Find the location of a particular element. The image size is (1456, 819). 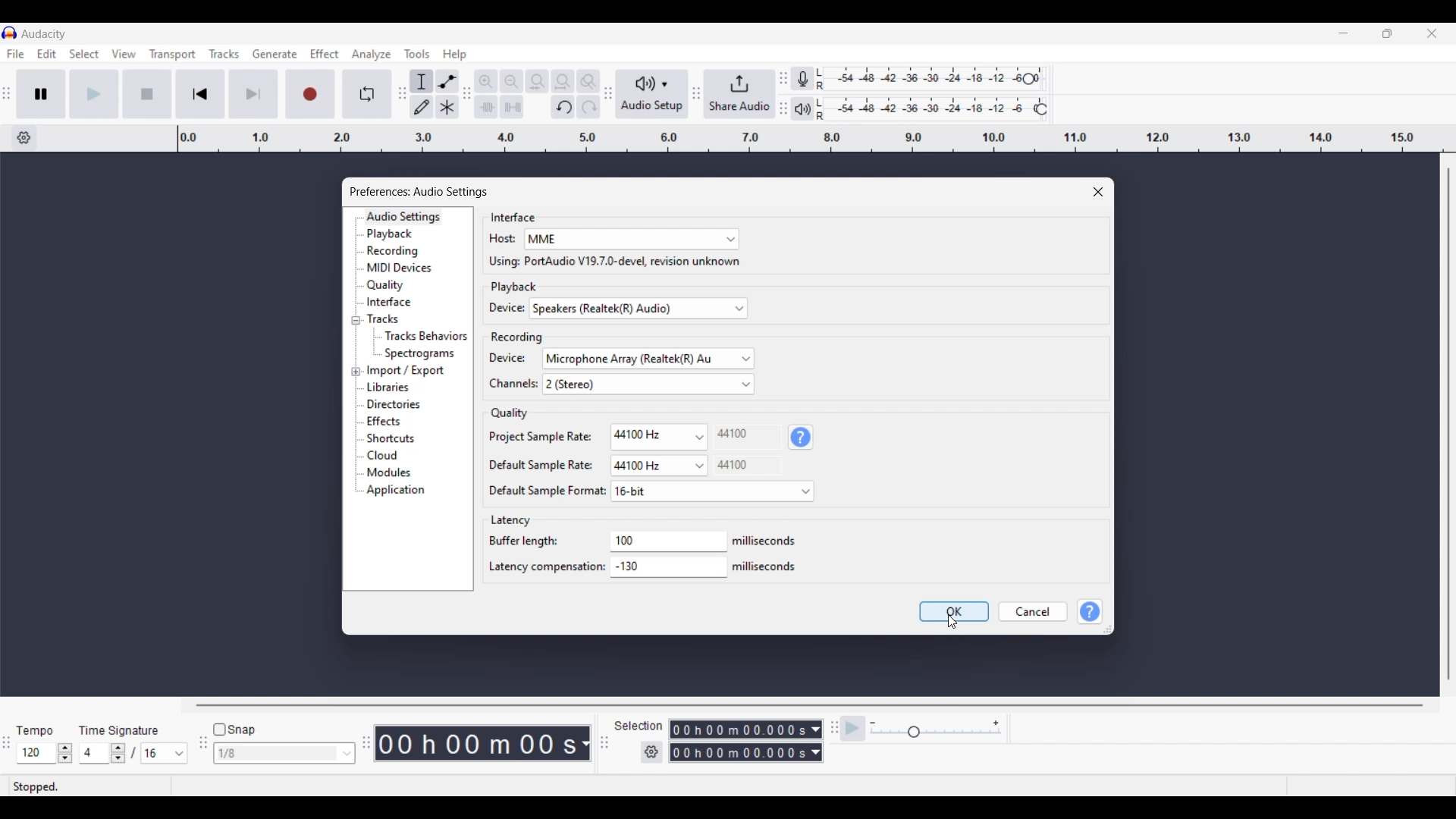

Latency compensation: is located at coordinates (545, 570).